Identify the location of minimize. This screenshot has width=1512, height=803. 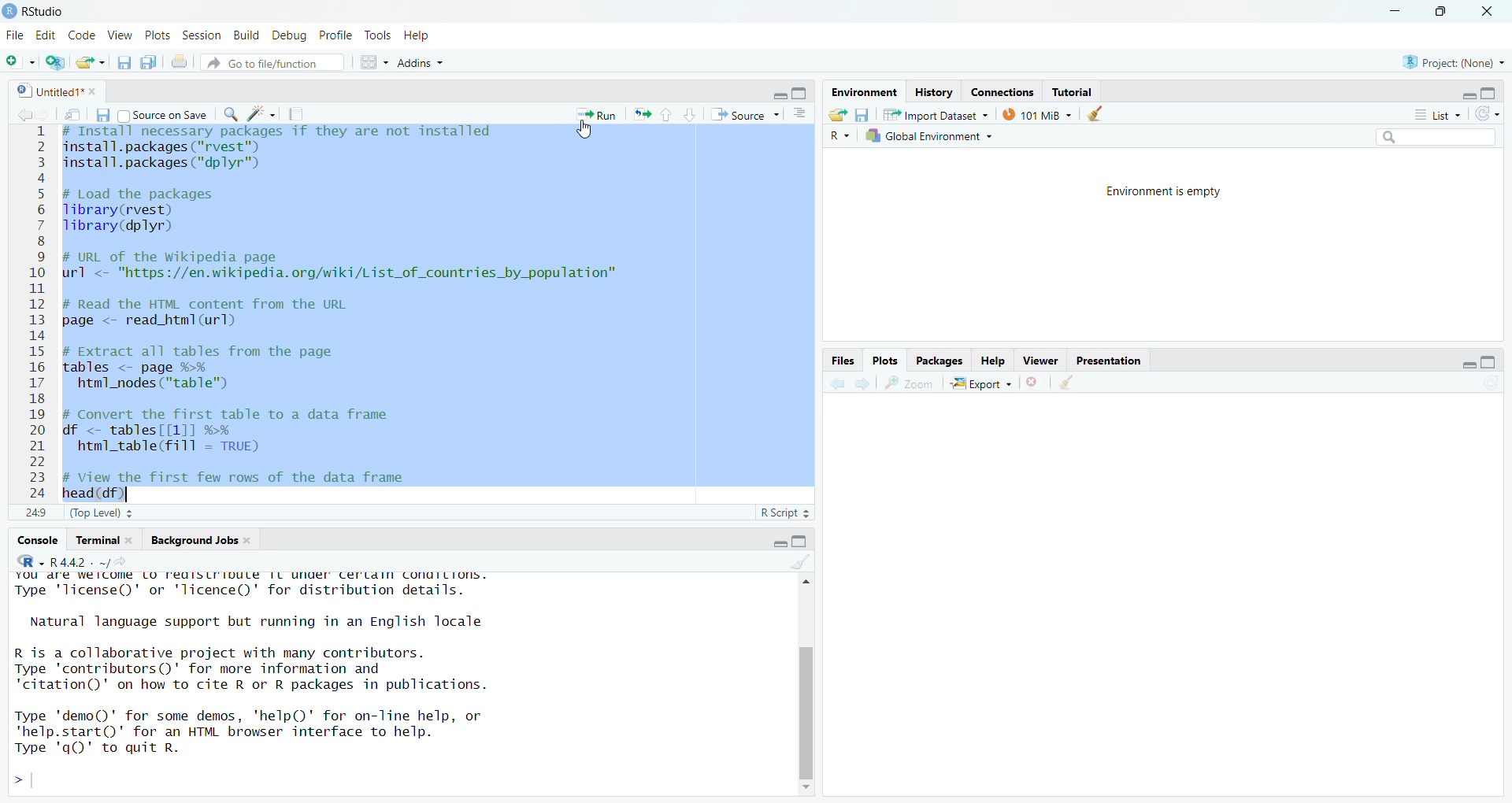
(1395, 12).